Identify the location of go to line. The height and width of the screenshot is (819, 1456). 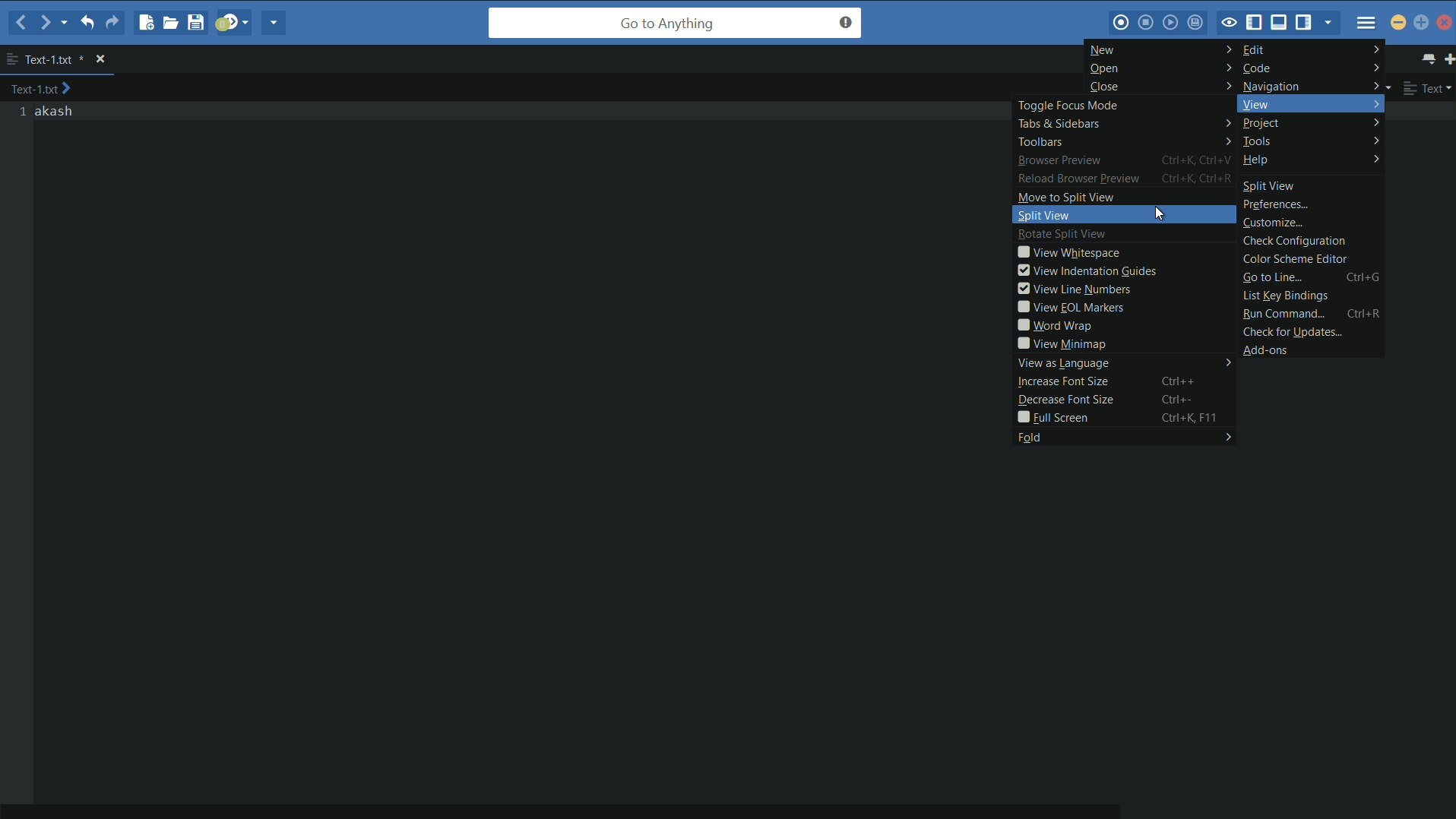
(1311, 277).